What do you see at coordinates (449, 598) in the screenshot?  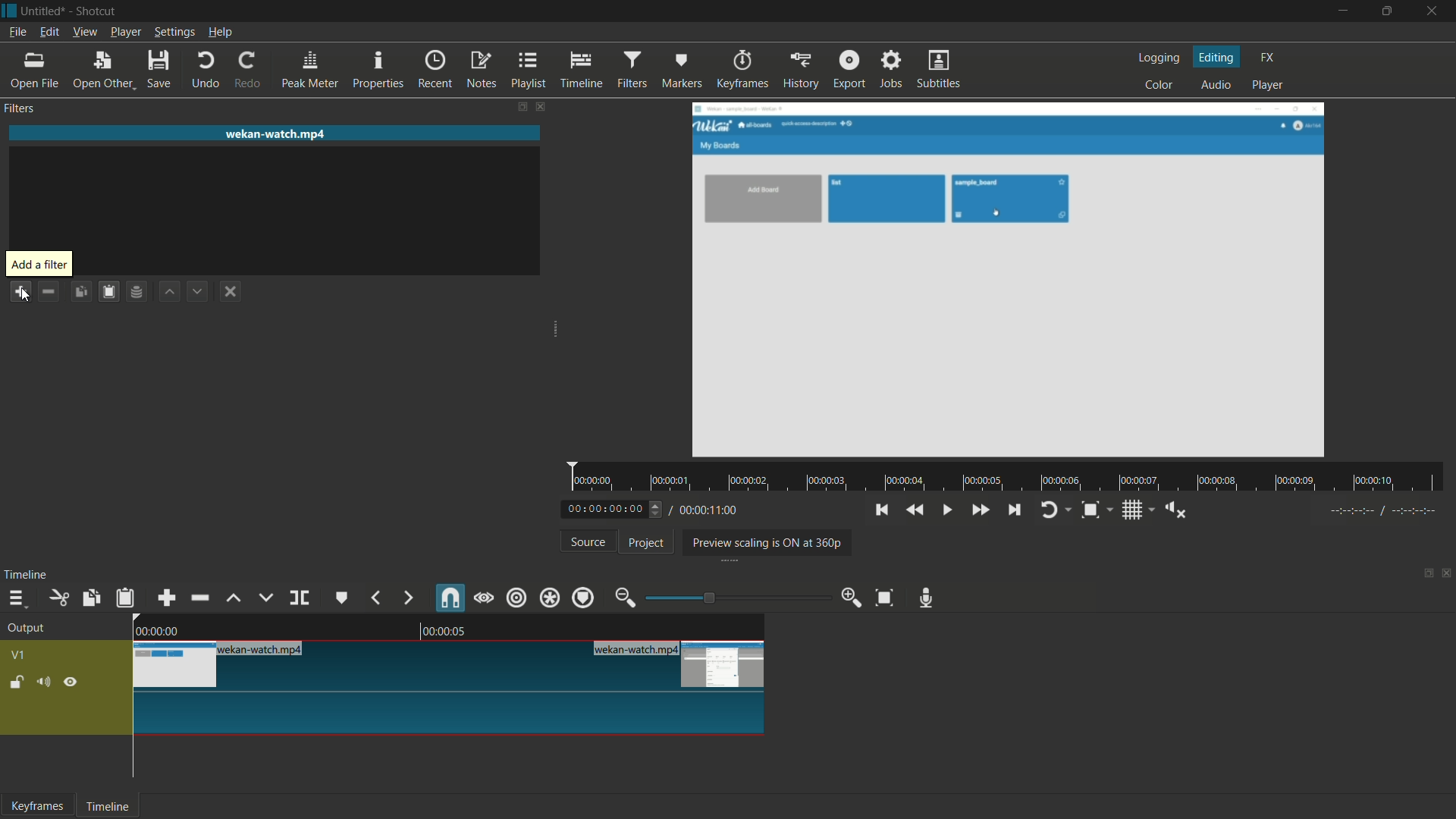 I see `snap` at bounding box center [449, 598].